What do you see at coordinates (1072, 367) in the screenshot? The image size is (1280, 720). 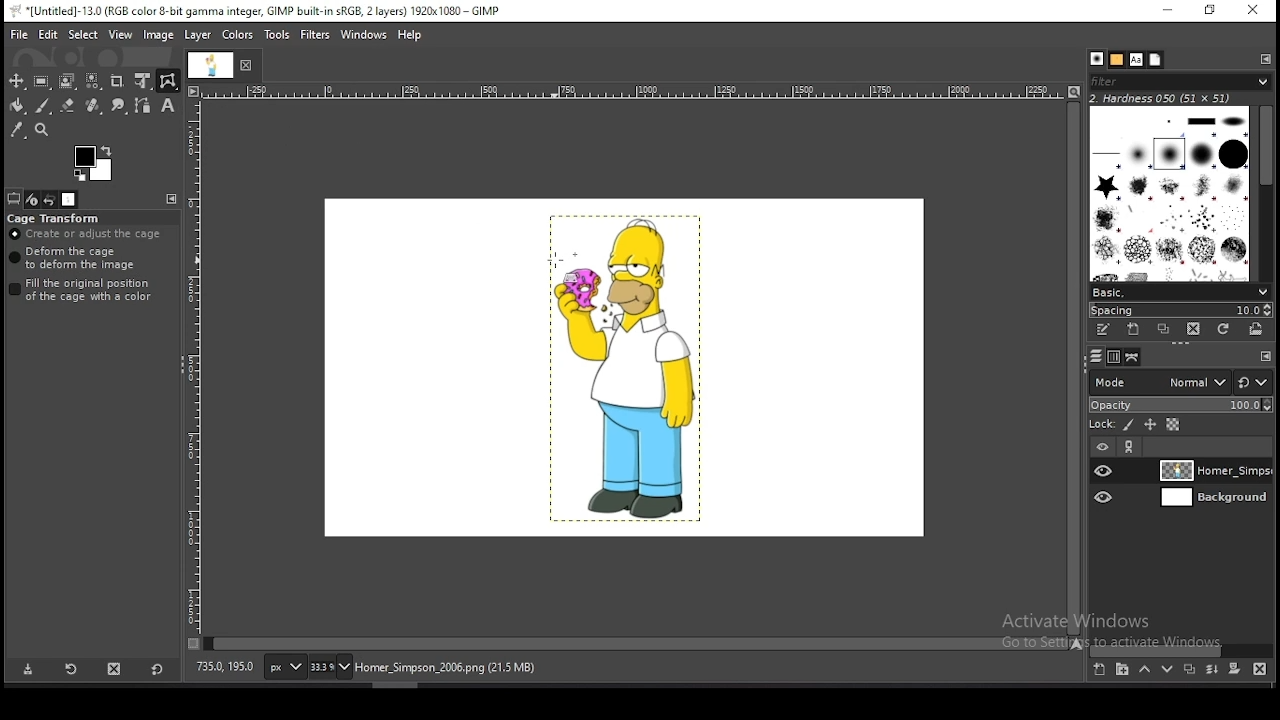 I see `scroll bar` at bounding box center [1072, 367].